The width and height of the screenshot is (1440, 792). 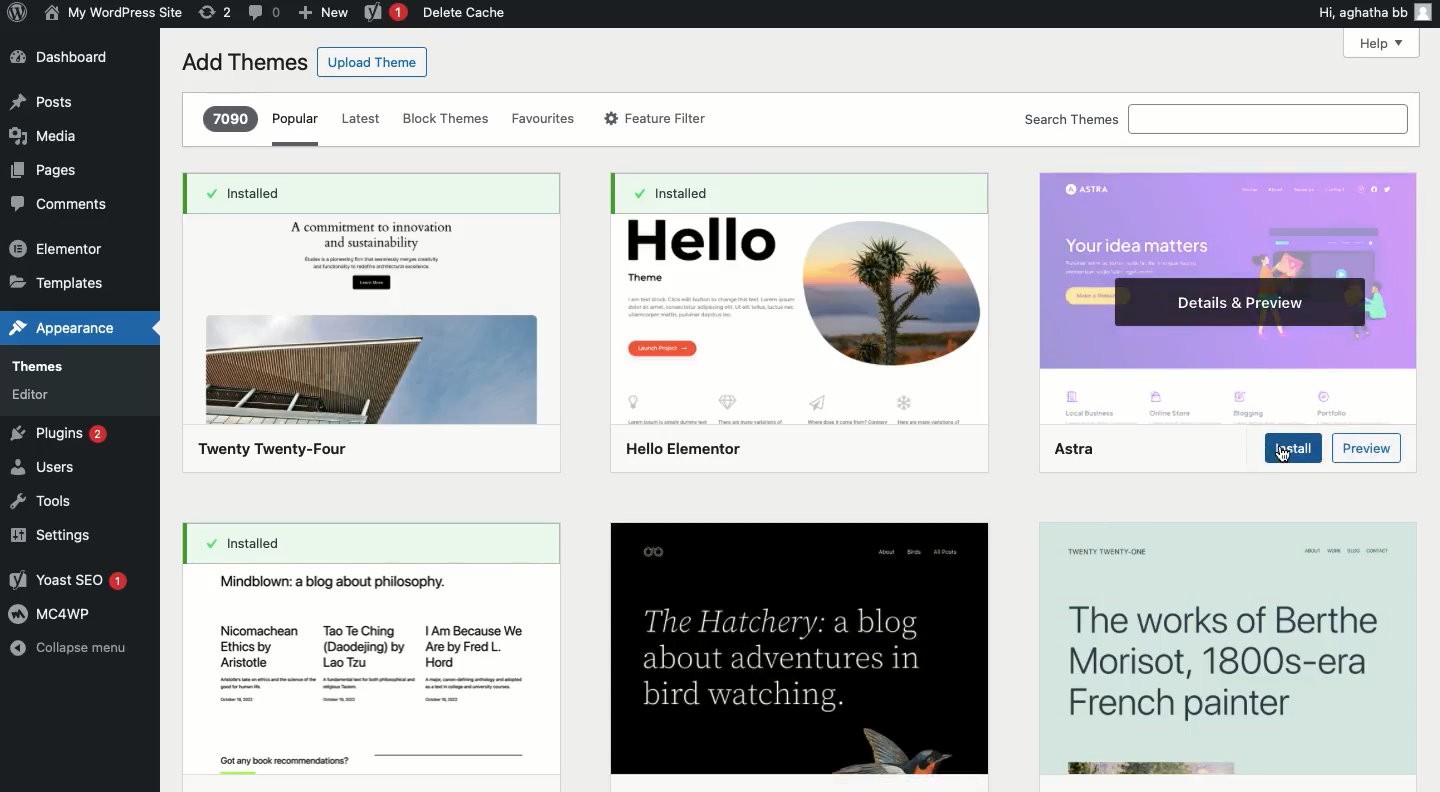 I want to click on Popular, so click(x=296, y=128).